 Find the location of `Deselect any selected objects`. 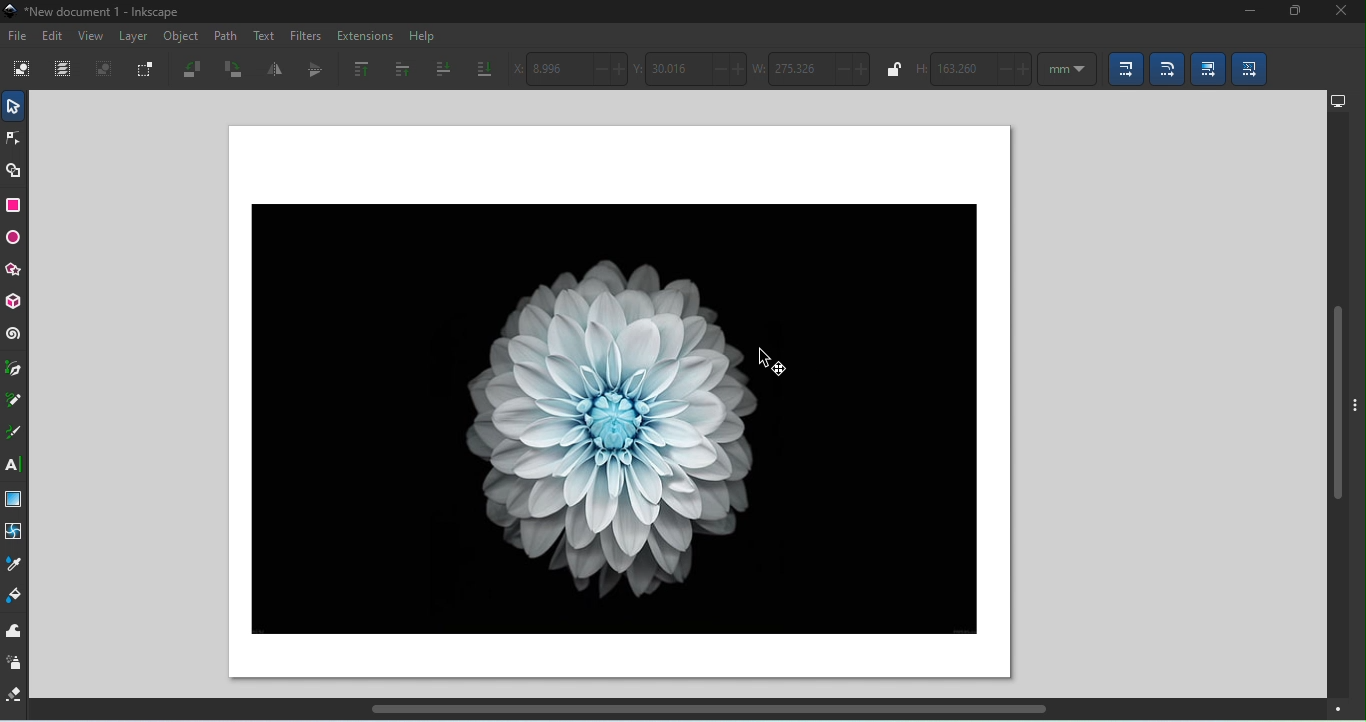

Deselect any selected objects is located at coordinates (104, 71).